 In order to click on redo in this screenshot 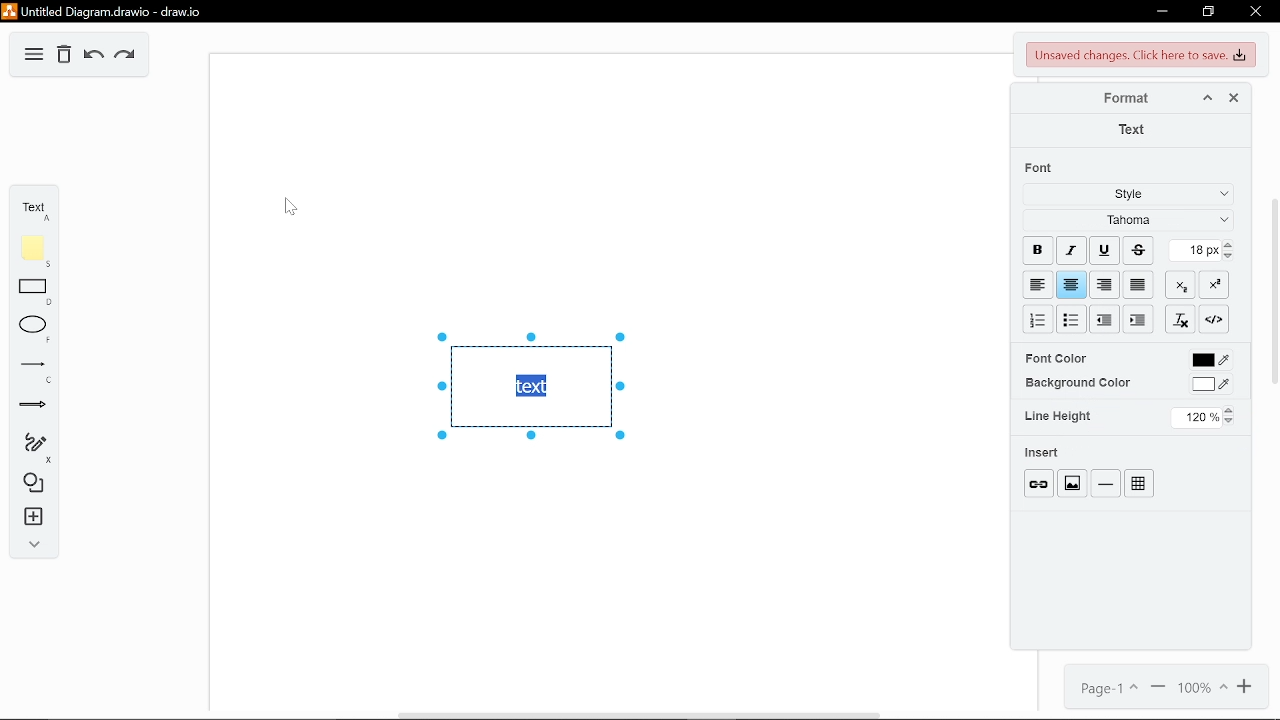, I will do `click(127, 56)`.